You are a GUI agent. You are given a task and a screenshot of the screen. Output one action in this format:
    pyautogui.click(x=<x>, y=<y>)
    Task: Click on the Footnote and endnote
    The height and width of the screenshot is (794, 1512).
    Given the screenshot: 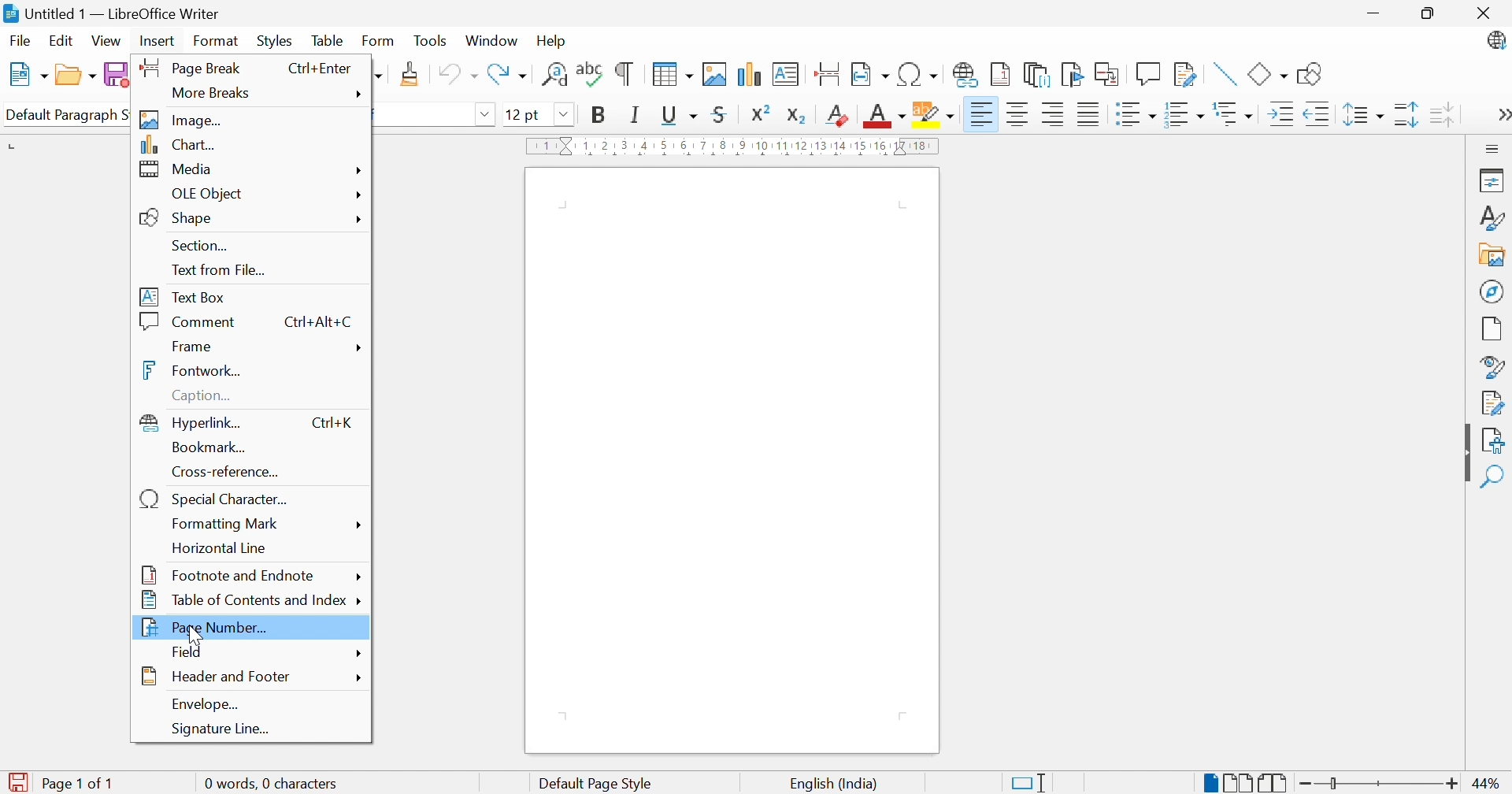 What is the action you would take?
    pyautogui.click(x=226, y=573)
    